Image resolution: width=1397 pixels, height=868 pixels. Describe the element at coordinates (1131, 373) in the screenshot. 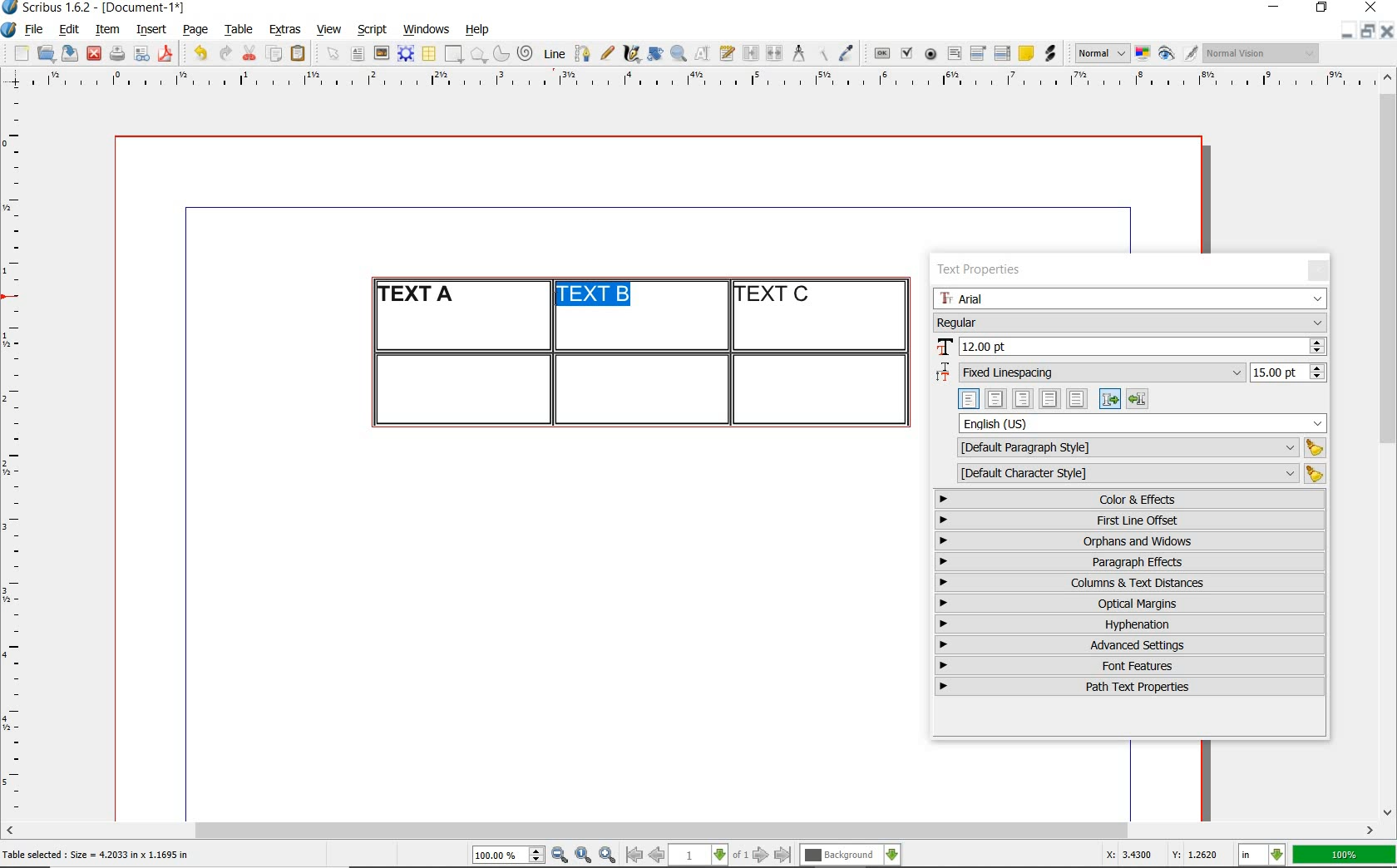

I see `fixed linespacing` at that location.